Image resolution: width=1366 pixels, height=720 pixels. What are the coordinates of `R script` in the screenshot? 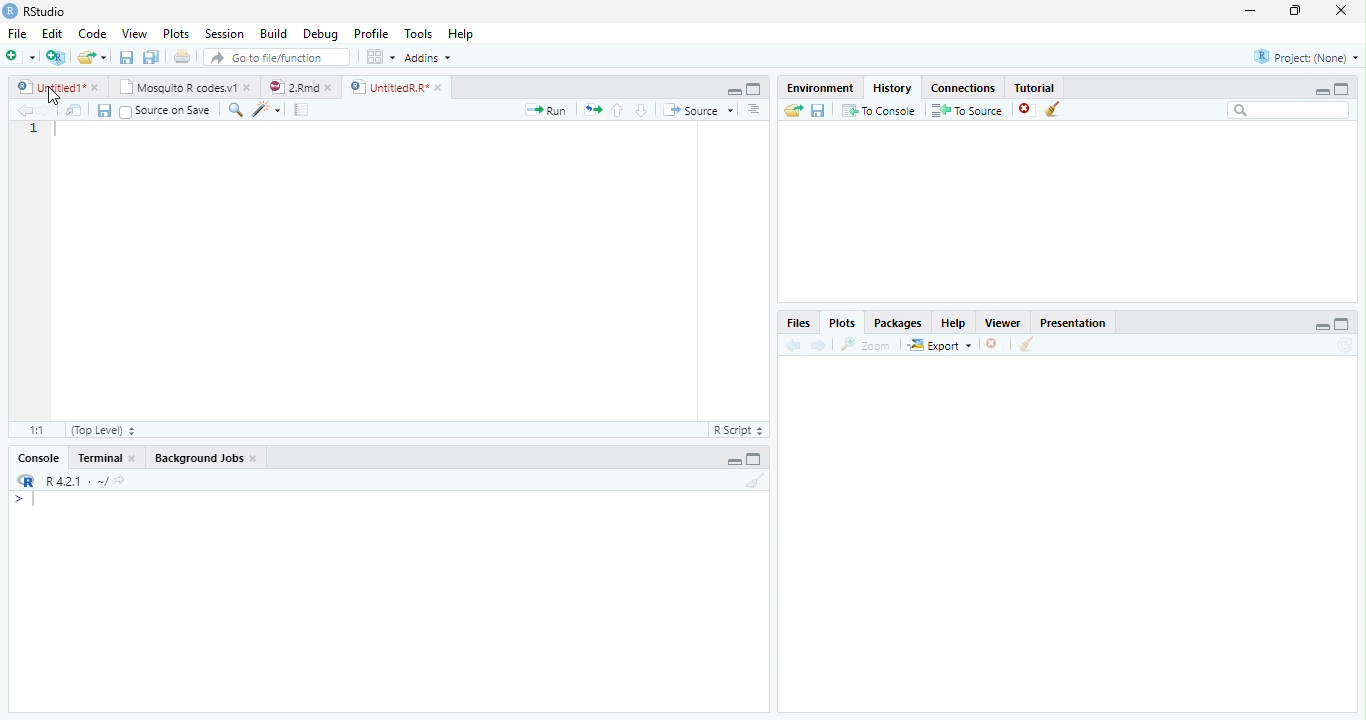 It's located at (738, 430).